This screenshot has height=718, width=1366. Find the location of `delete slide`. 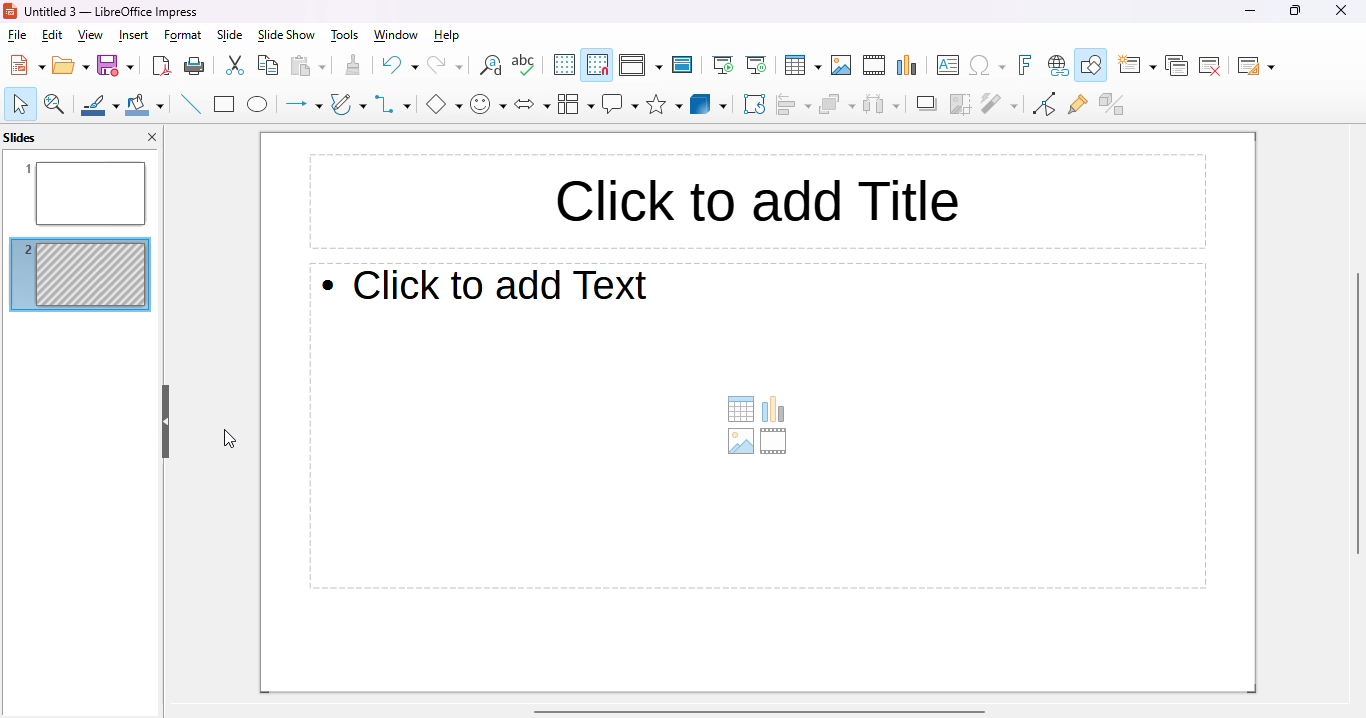

delete slide is located at coordinates (1210, 66).